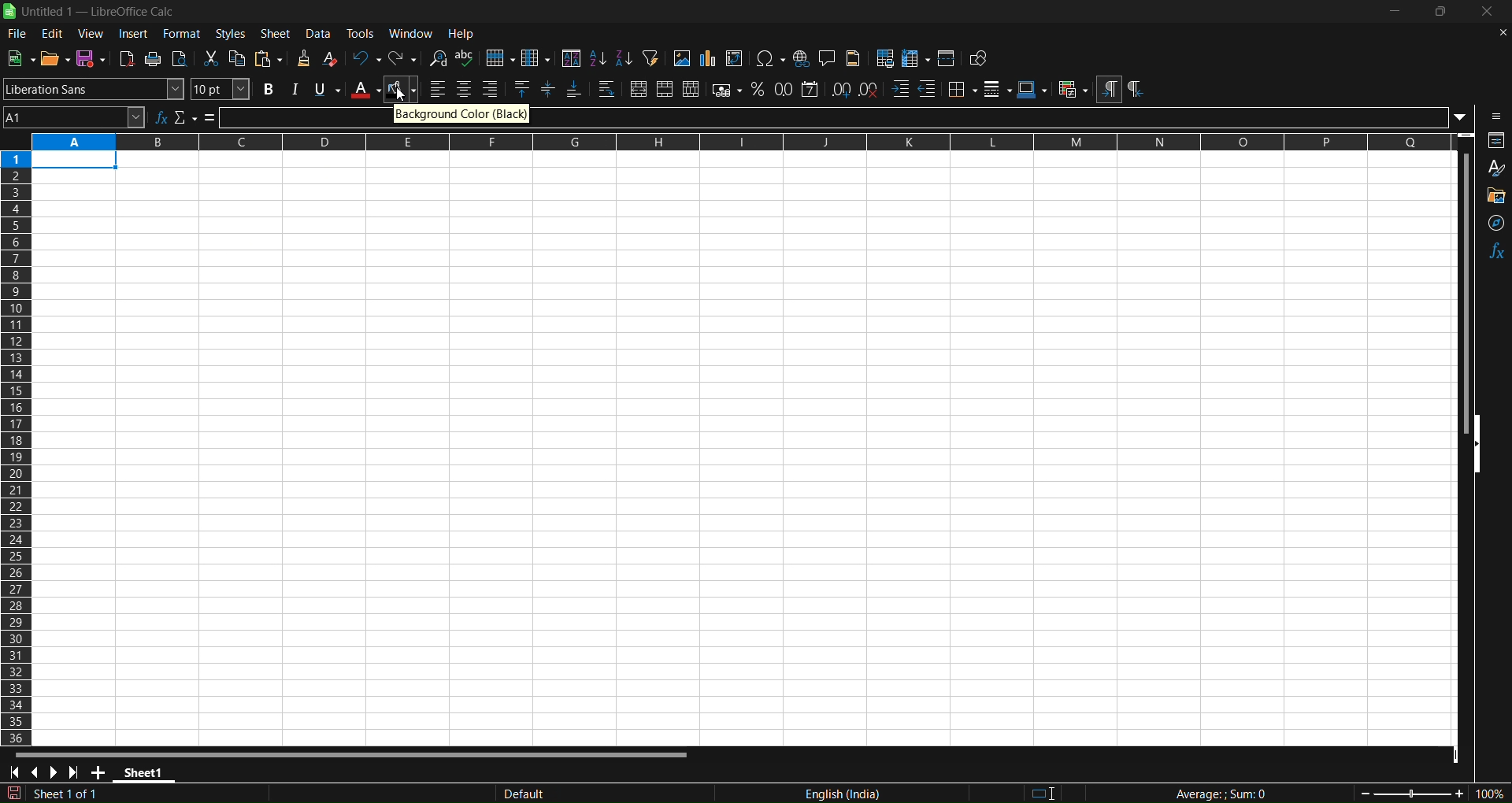 Image resolution: width=1512 pixels, height=803 pixels. What do you see at coordinates (801, 58) in the screenshot?
I see `insert hyperlink` at bounding box center [801, 58].